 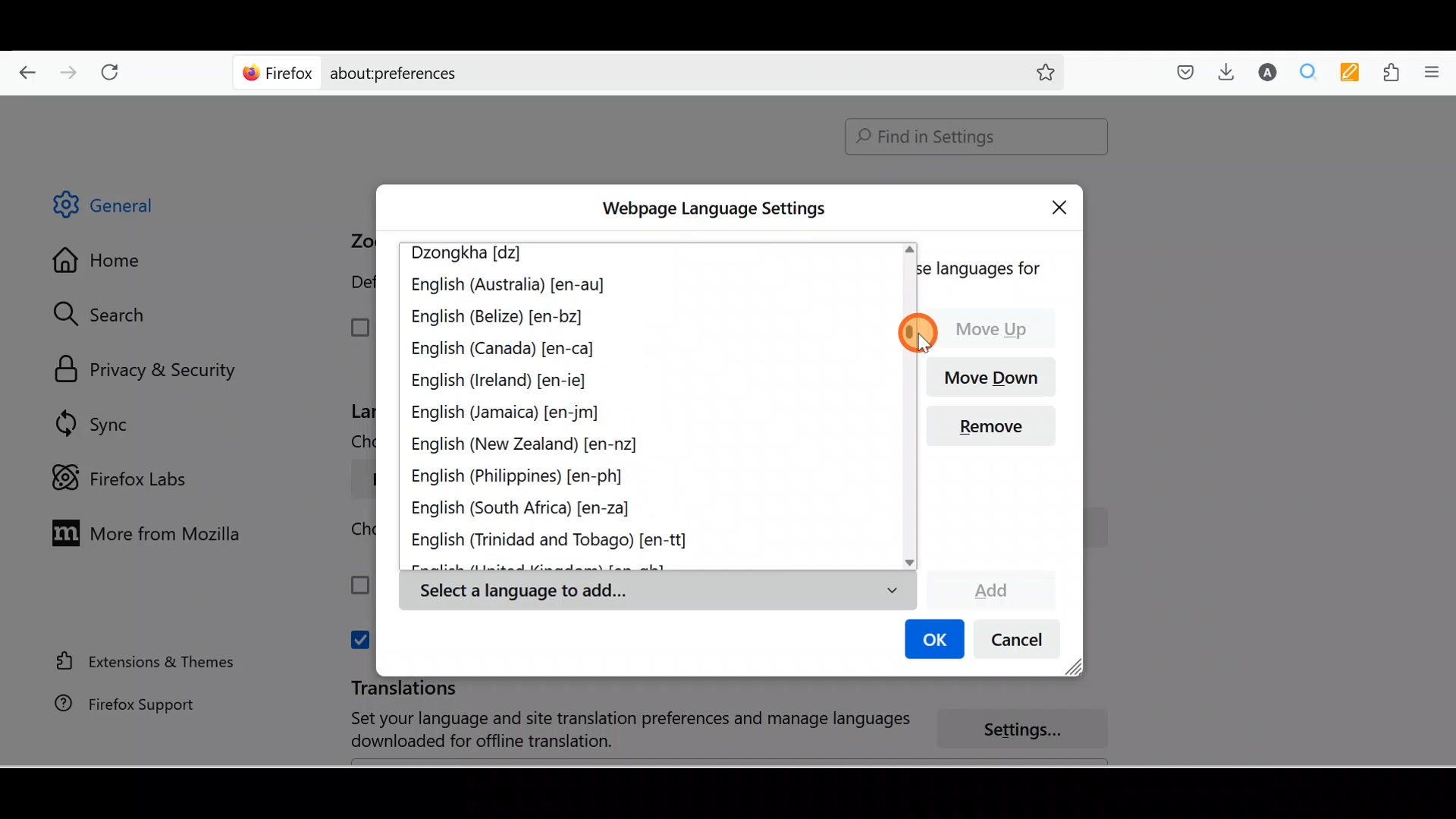 What do you see at coordinates (990, 588) in the screenshot?
I see `Add` at bounding box center [990, 588].